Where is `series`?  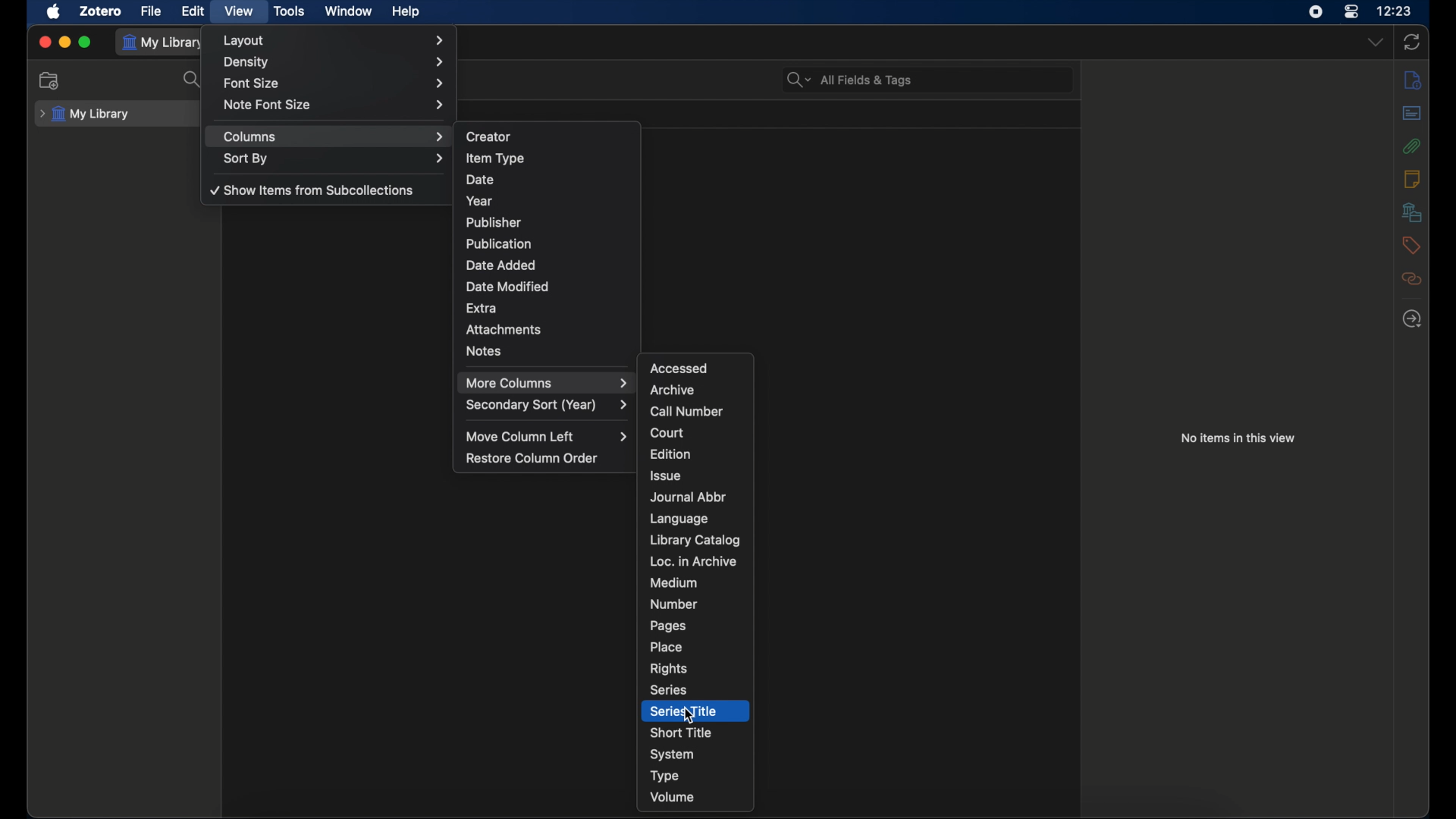 series is located at coordinates (669, 690).